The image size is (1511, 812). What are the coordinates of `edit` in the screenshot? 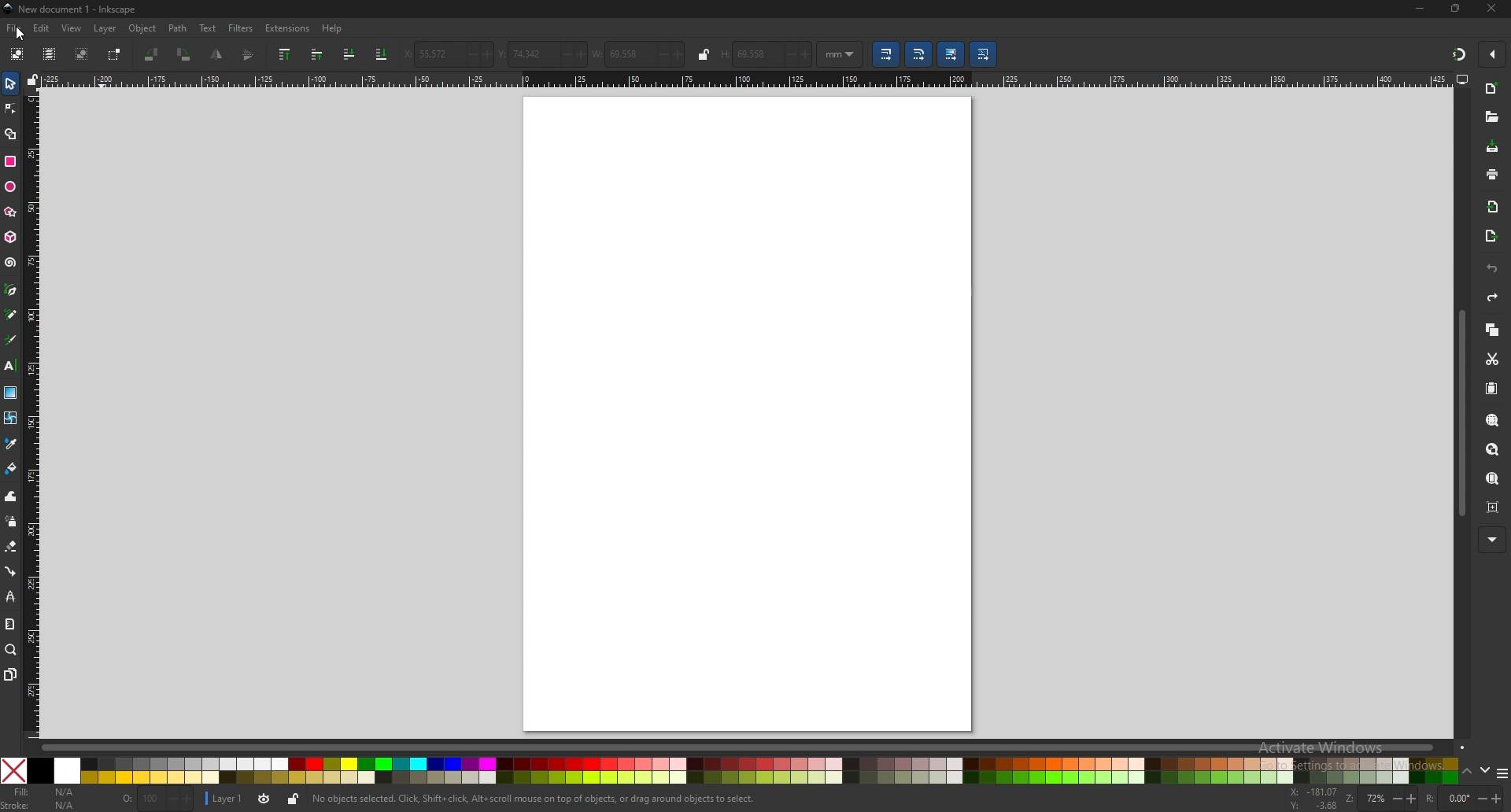 It's located at (40, 28).